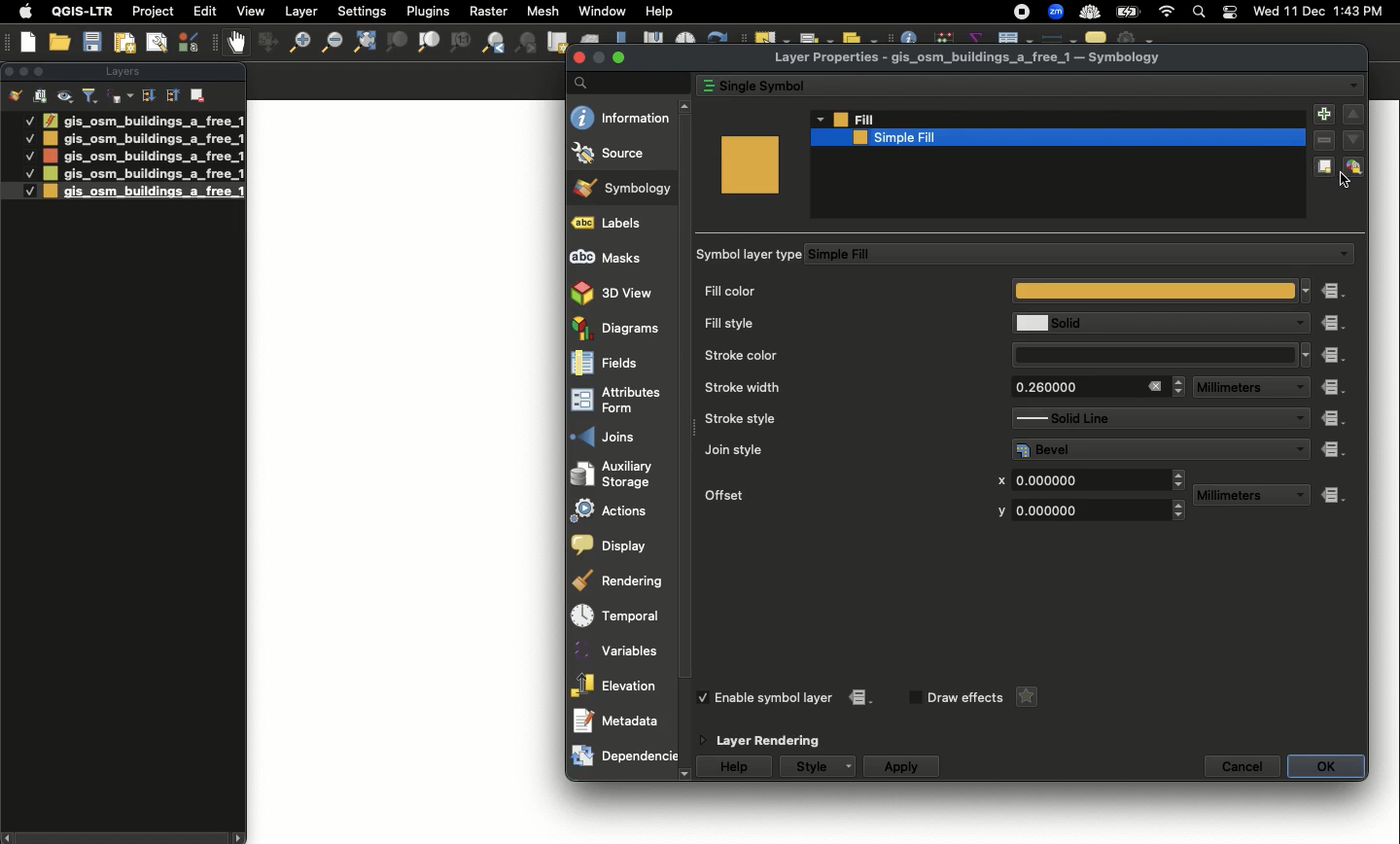 The image size is (1400, 844). Describe the element at coordinates (775, 741) in the screenshot. I see `Layer rendering` at that location.